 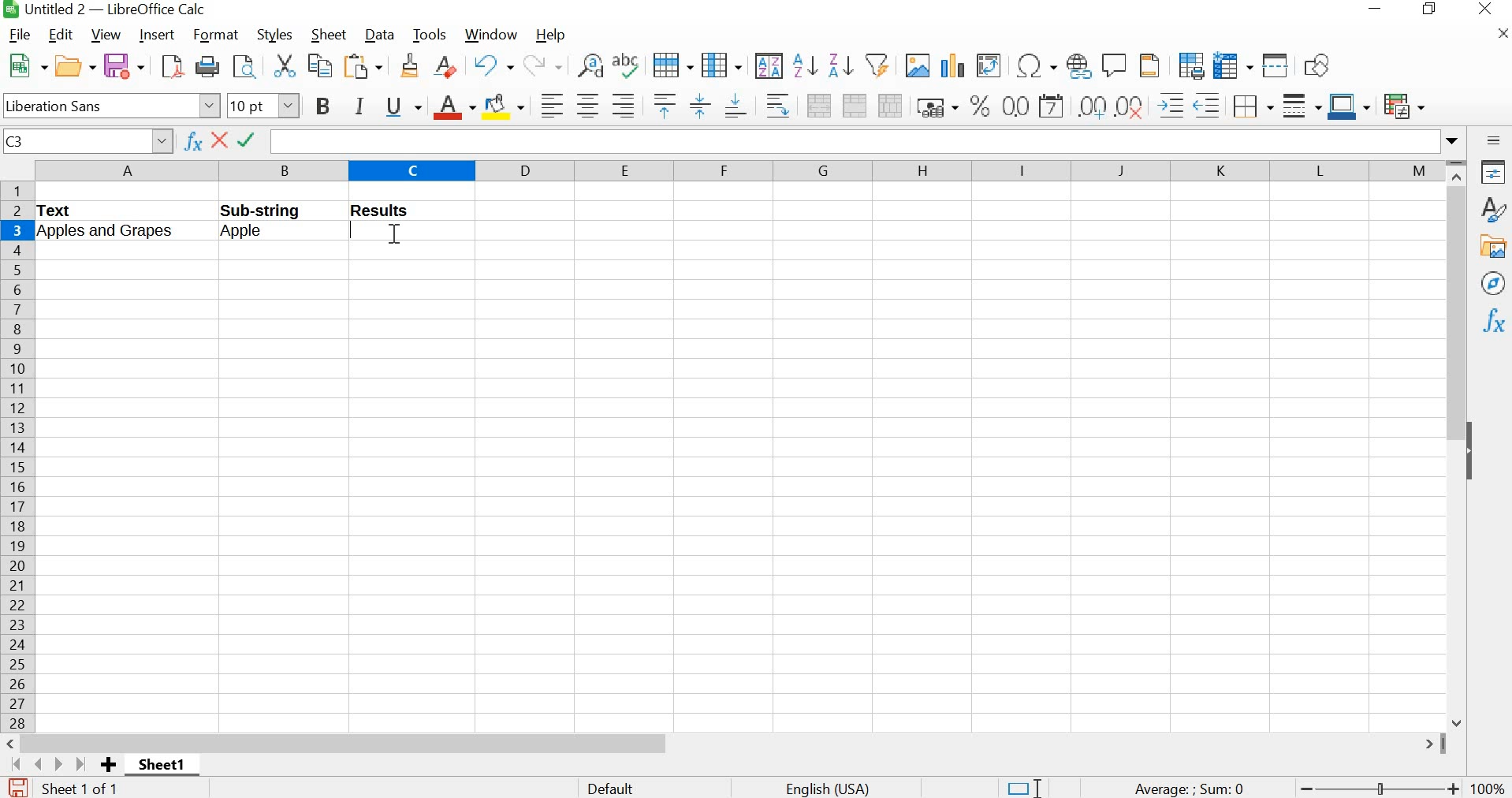 I want to click on format as date, so click(x=1052, y=106).